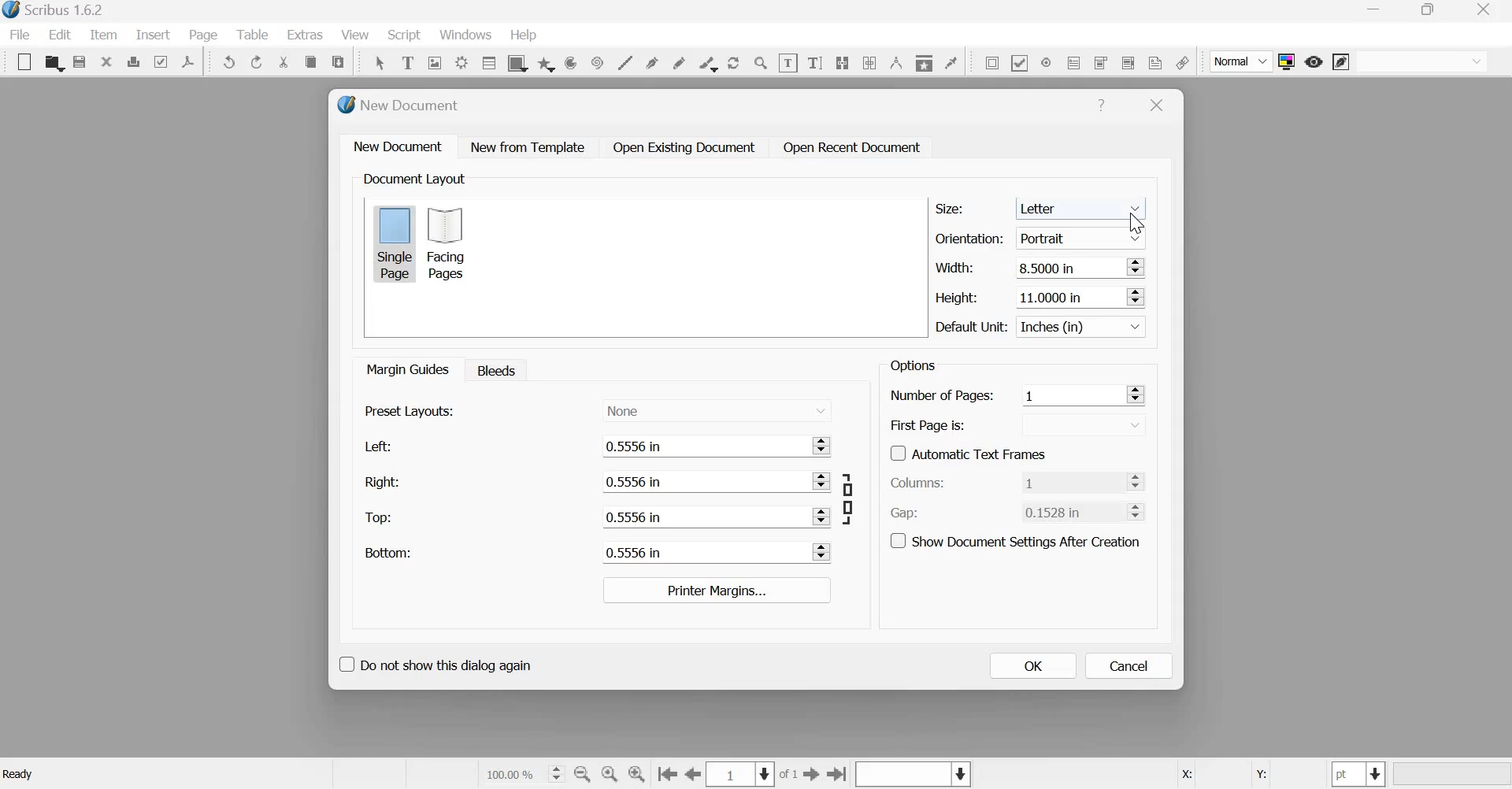  Describe the element at coordinates (654, 61) in the screenshot. I see `bezier curve` at that location.